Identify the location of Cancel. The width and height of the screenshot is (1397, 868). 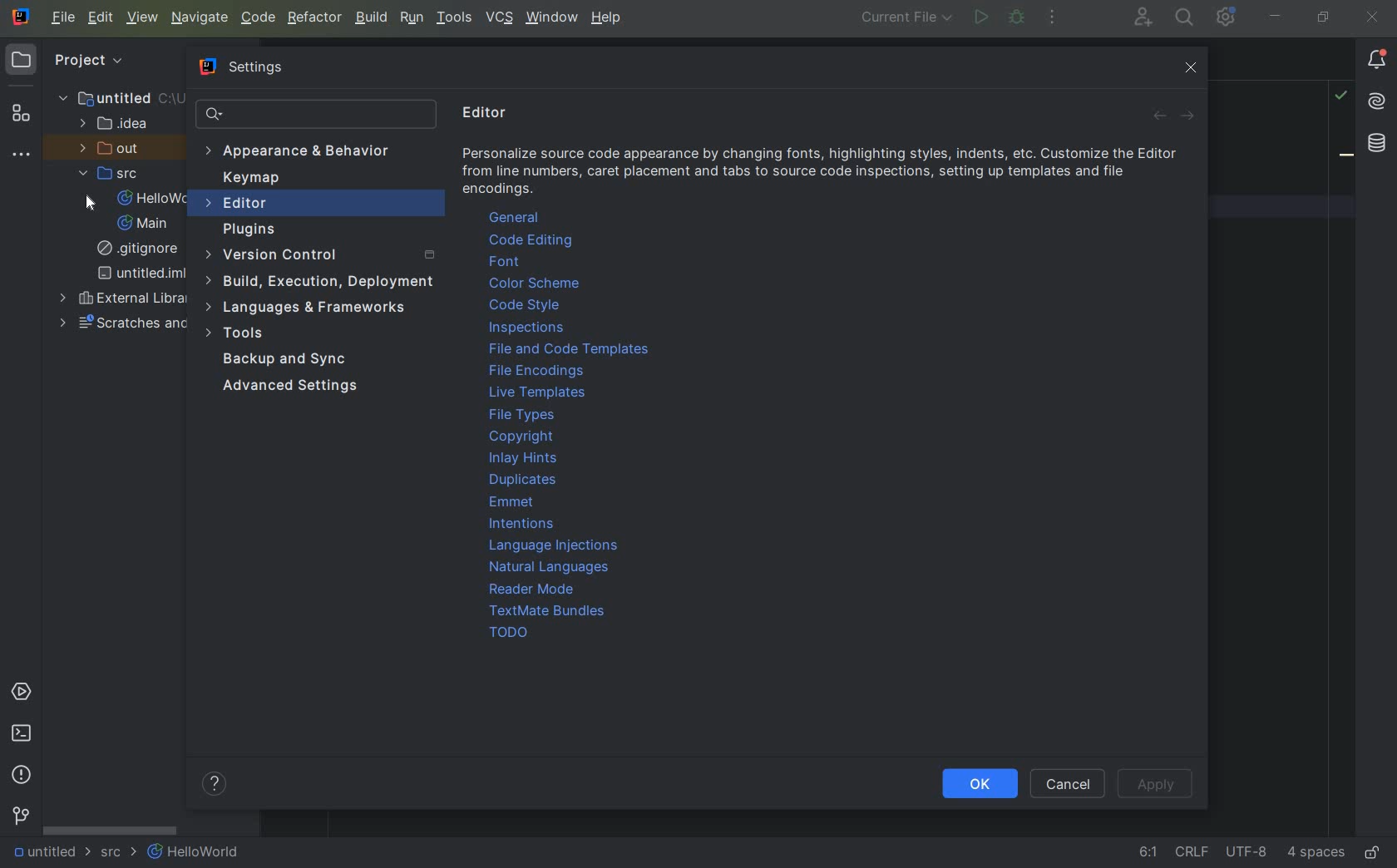
(1069, 784).